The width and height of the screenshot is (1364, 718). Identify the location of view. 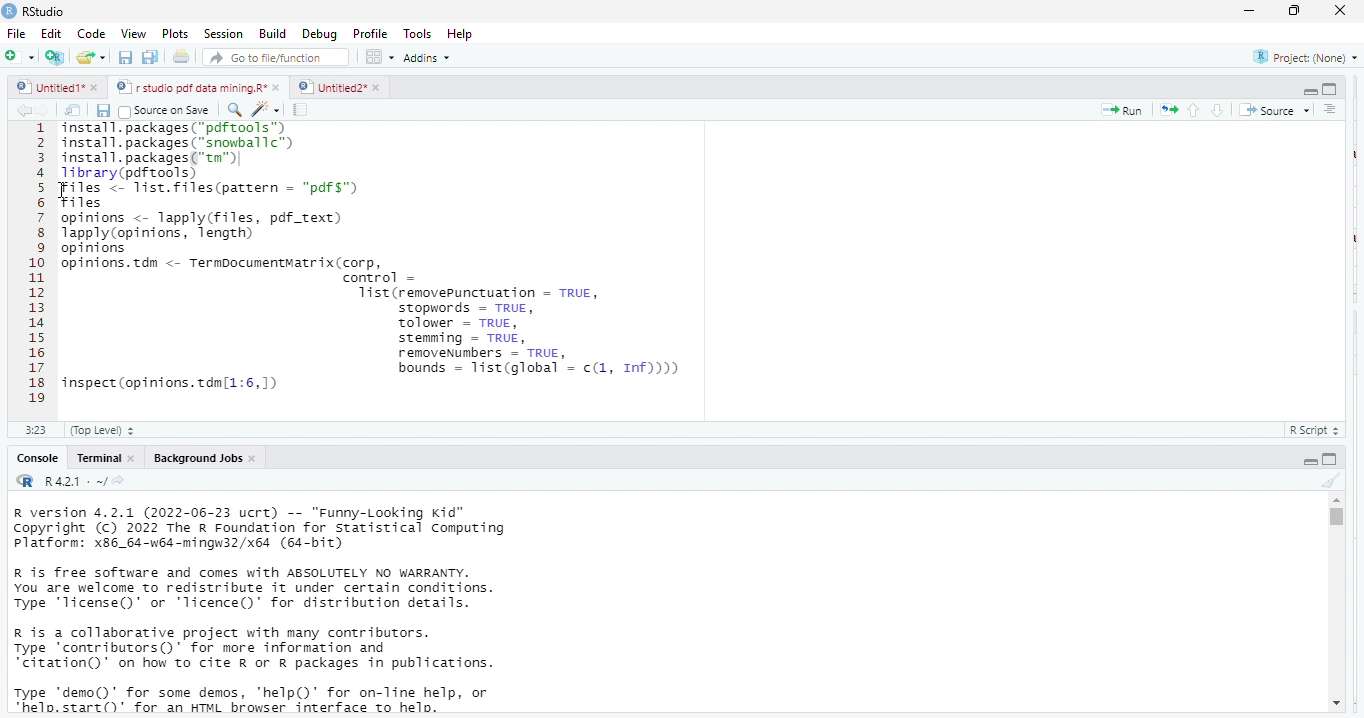
(128, 34).